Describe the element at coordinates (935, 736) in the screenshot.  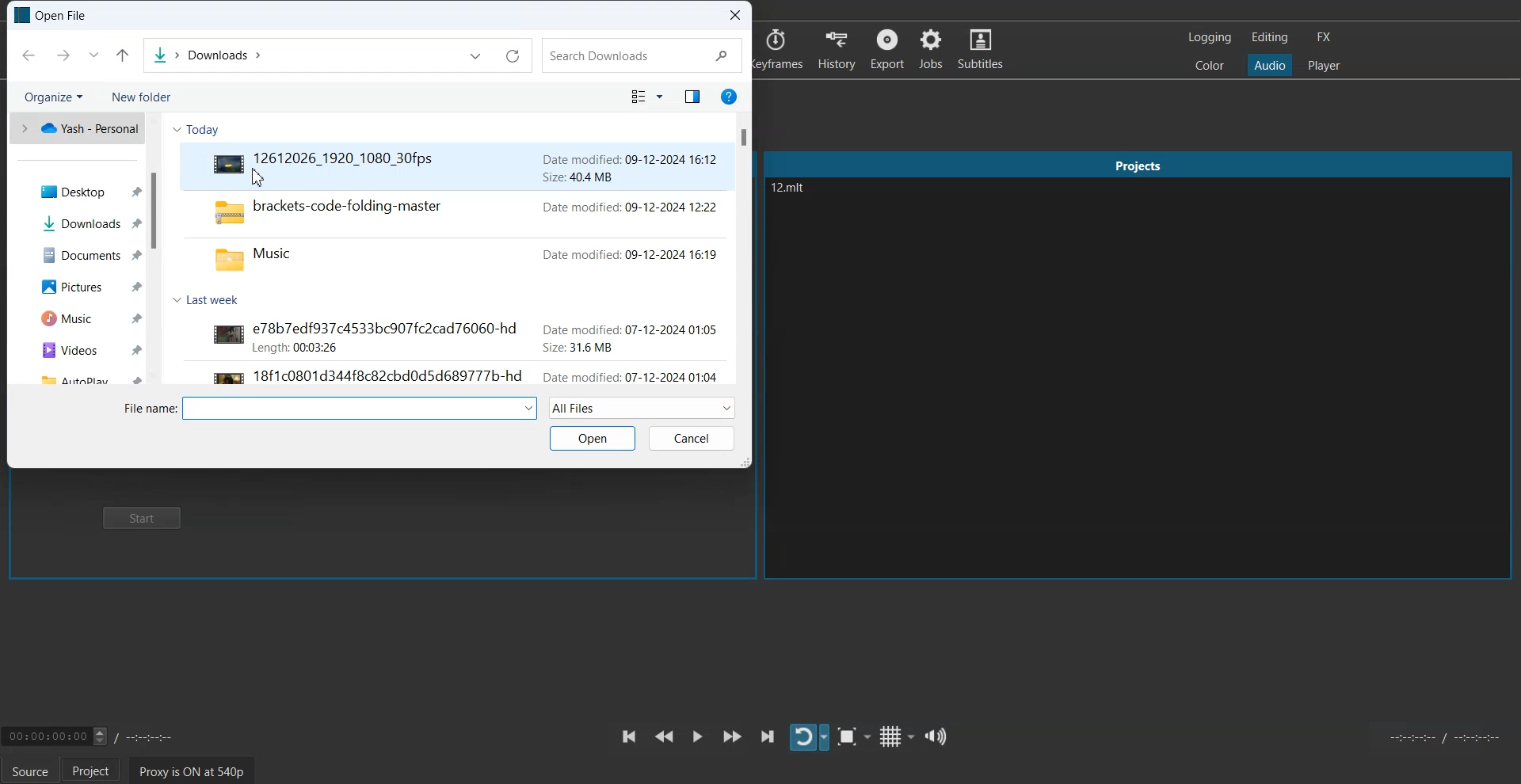
I see `Show the volume control` at that location.